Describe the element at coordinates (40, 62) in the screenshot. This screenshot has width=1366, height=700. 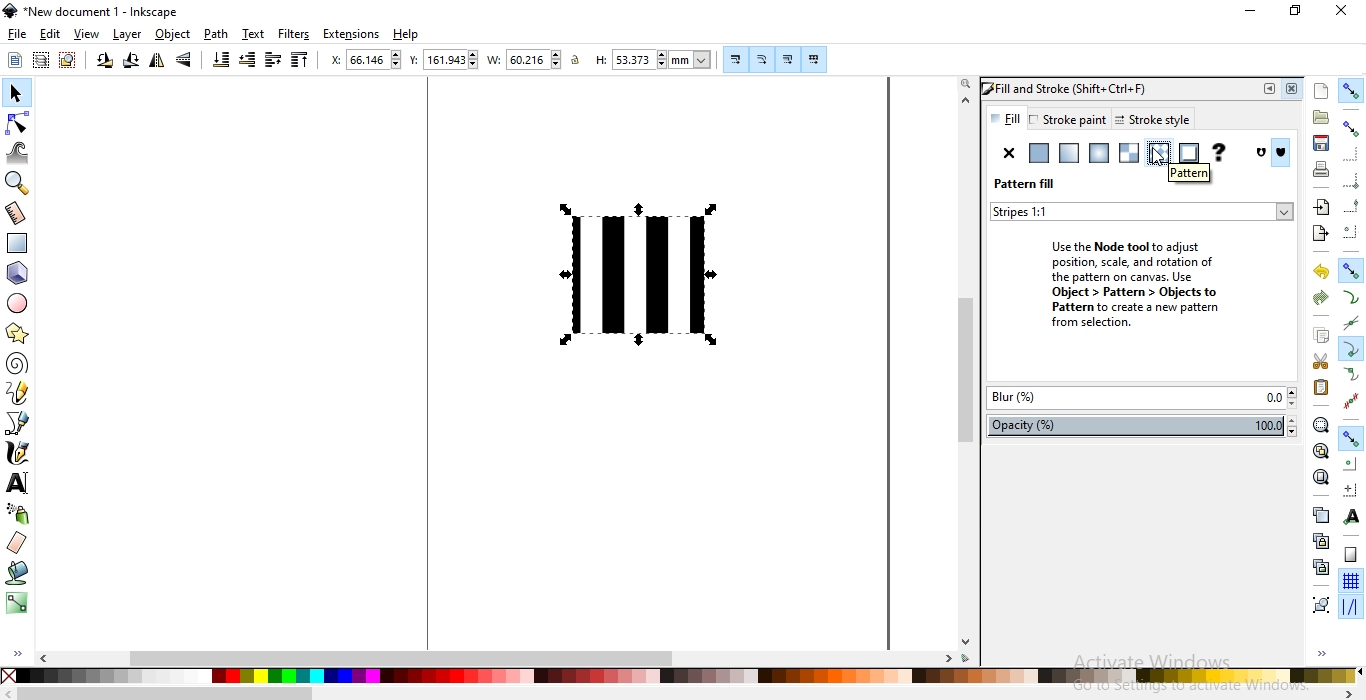
I see `select all objects in all visible and unlocked layers` at that location.